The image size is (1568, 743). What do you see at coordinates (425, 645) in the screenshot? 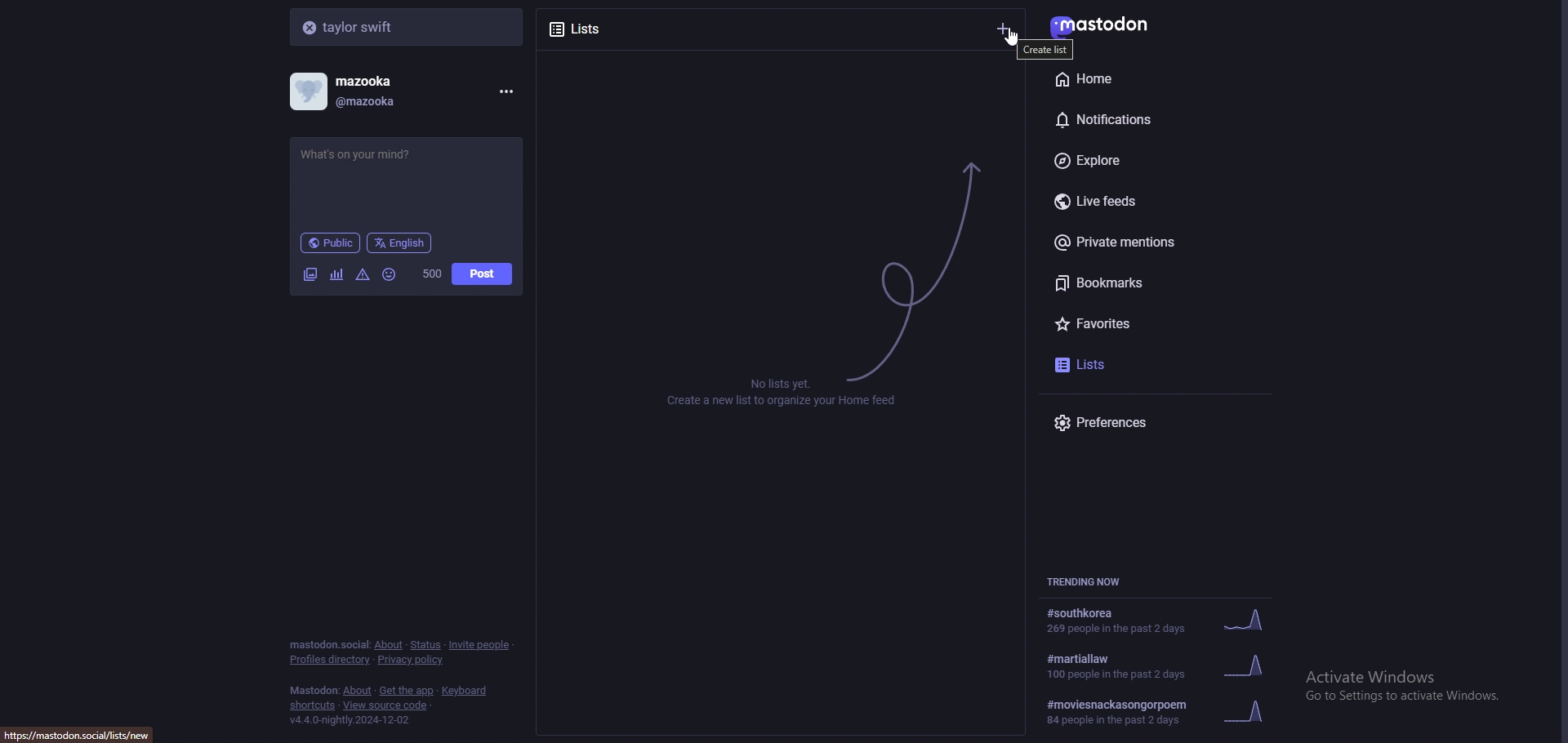
I see `status` at bounding box center [425, 645].